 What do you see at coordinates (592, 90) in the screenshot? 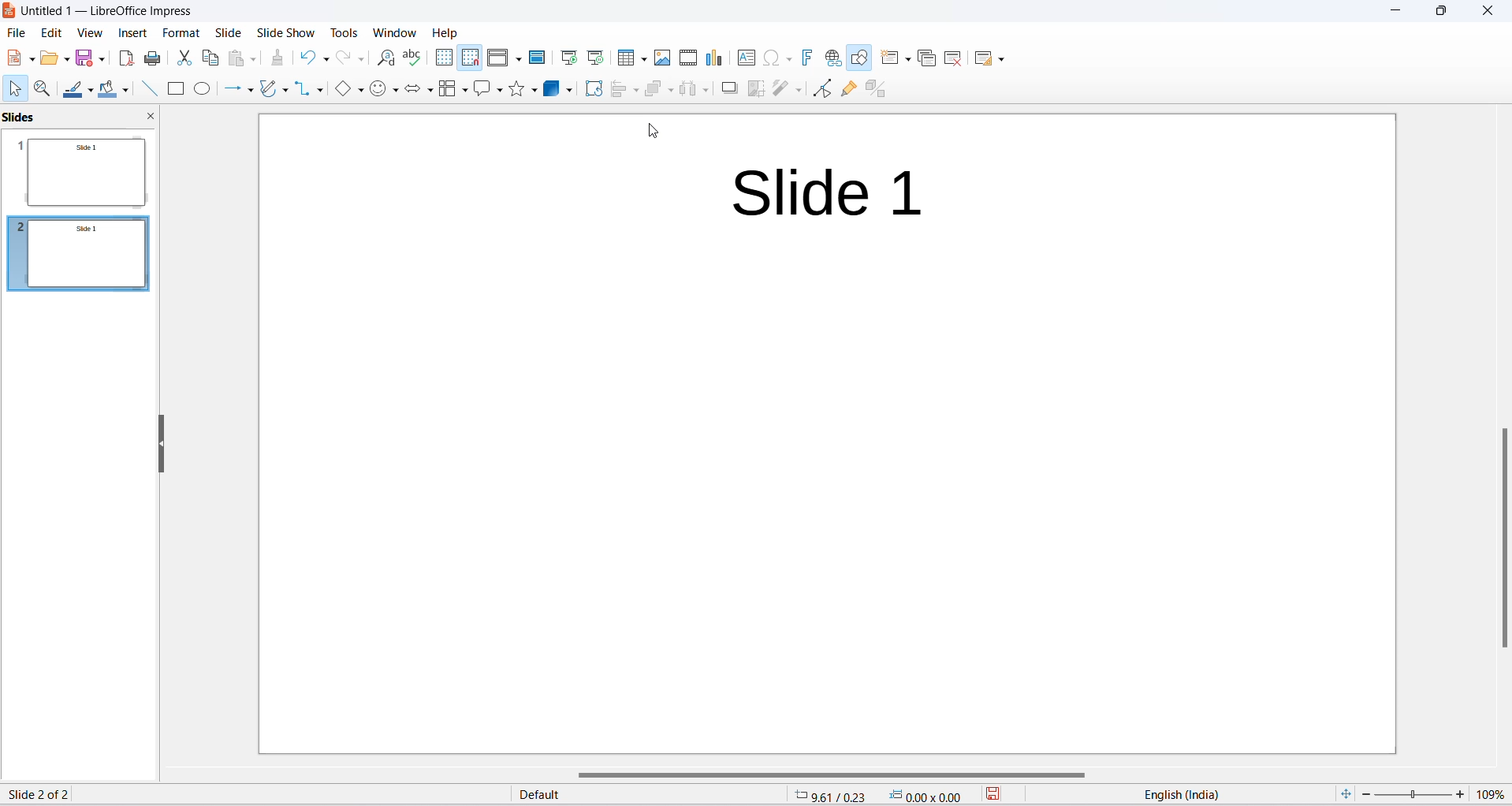
I see `Rotate` at bounding box center [592, 90].